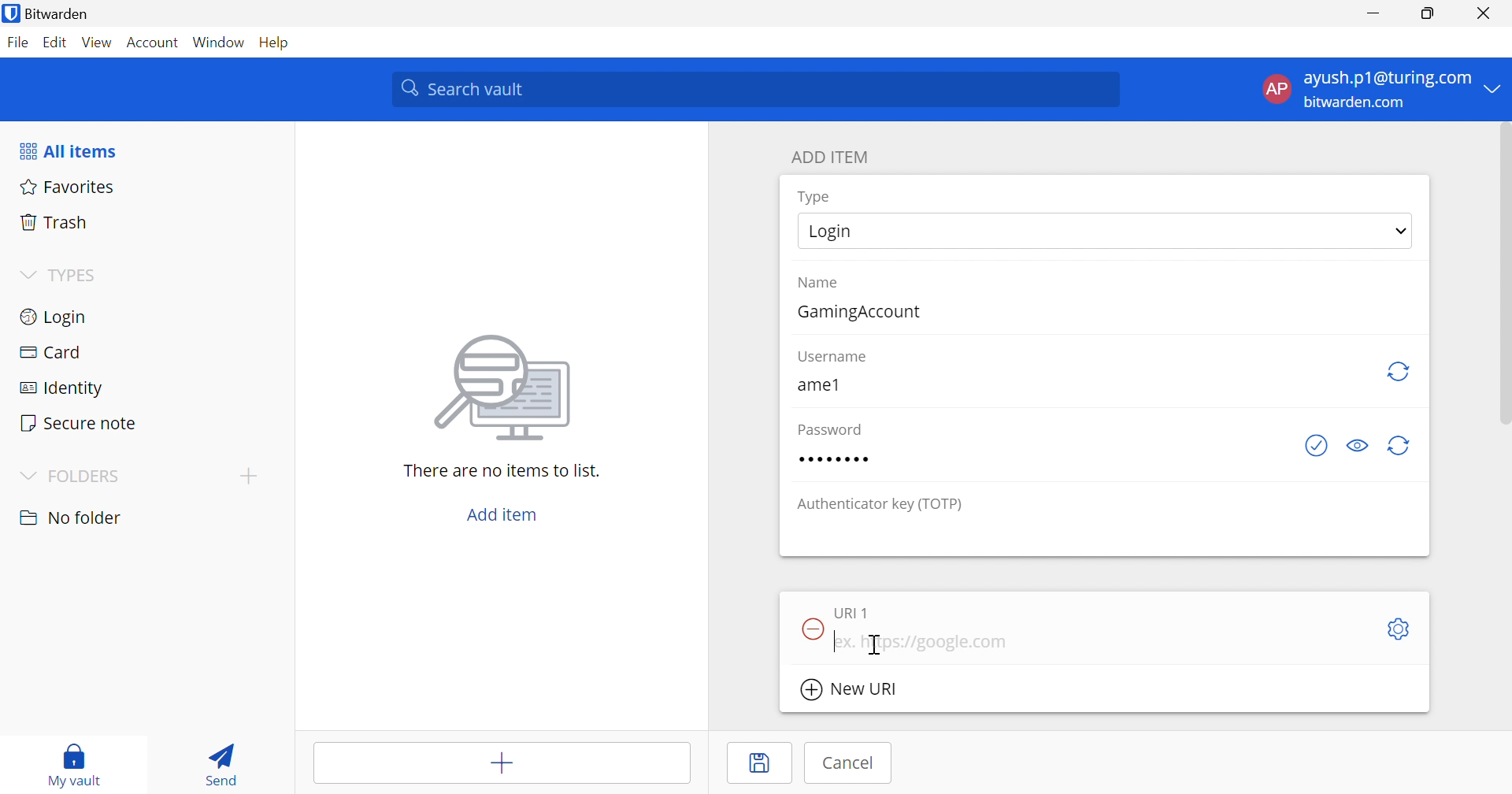  Describe the element at coordinates (57, 41) in the screenshot. I see `Edit` at that location.